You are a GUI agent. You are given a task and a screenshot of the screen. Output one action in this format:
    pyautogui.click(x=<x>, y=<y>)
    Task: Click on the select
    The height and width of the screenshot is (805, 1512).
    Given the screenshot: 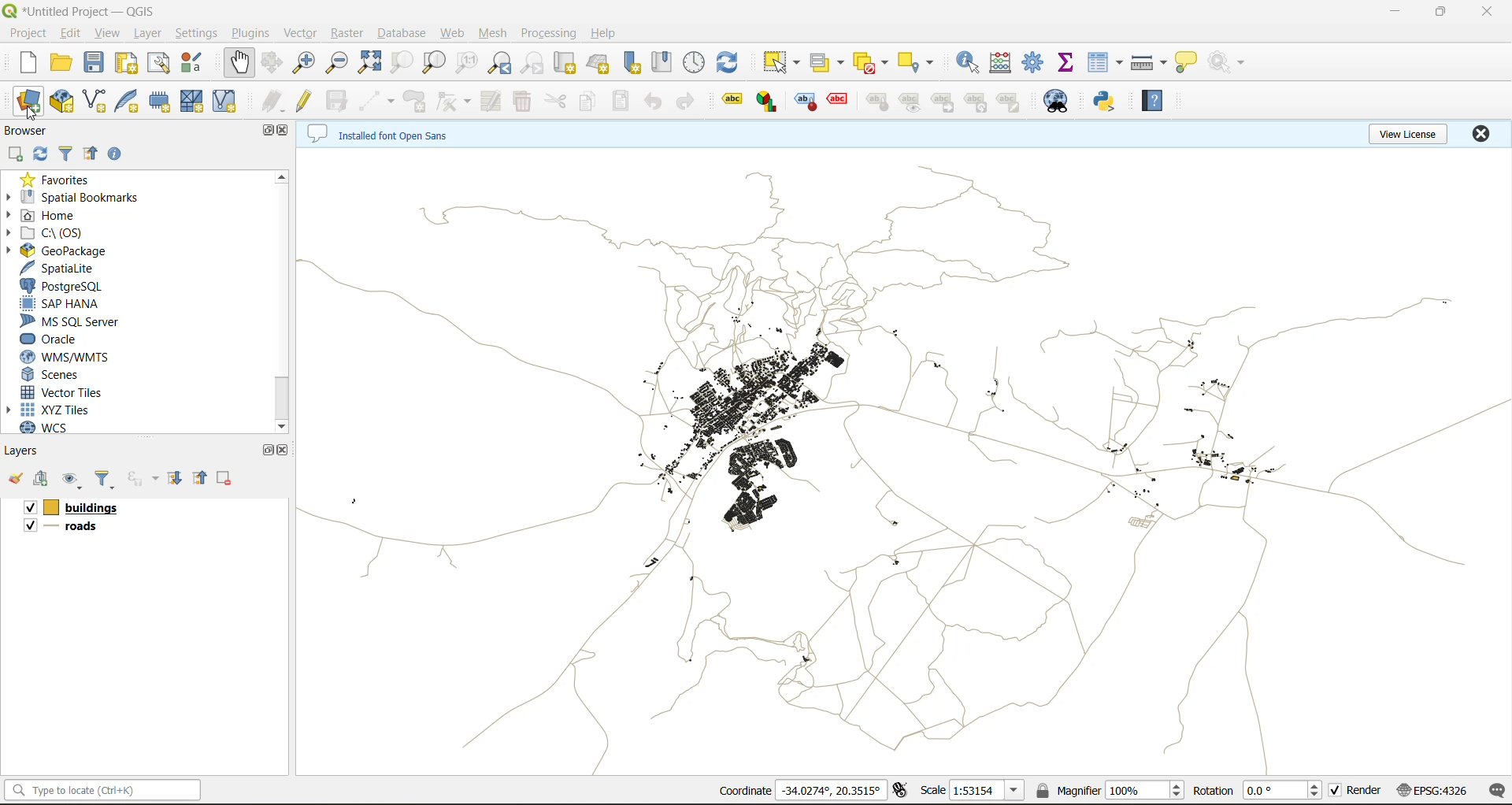 What is the action you would take?
    pyautogui.click(x=779, y=63)
    